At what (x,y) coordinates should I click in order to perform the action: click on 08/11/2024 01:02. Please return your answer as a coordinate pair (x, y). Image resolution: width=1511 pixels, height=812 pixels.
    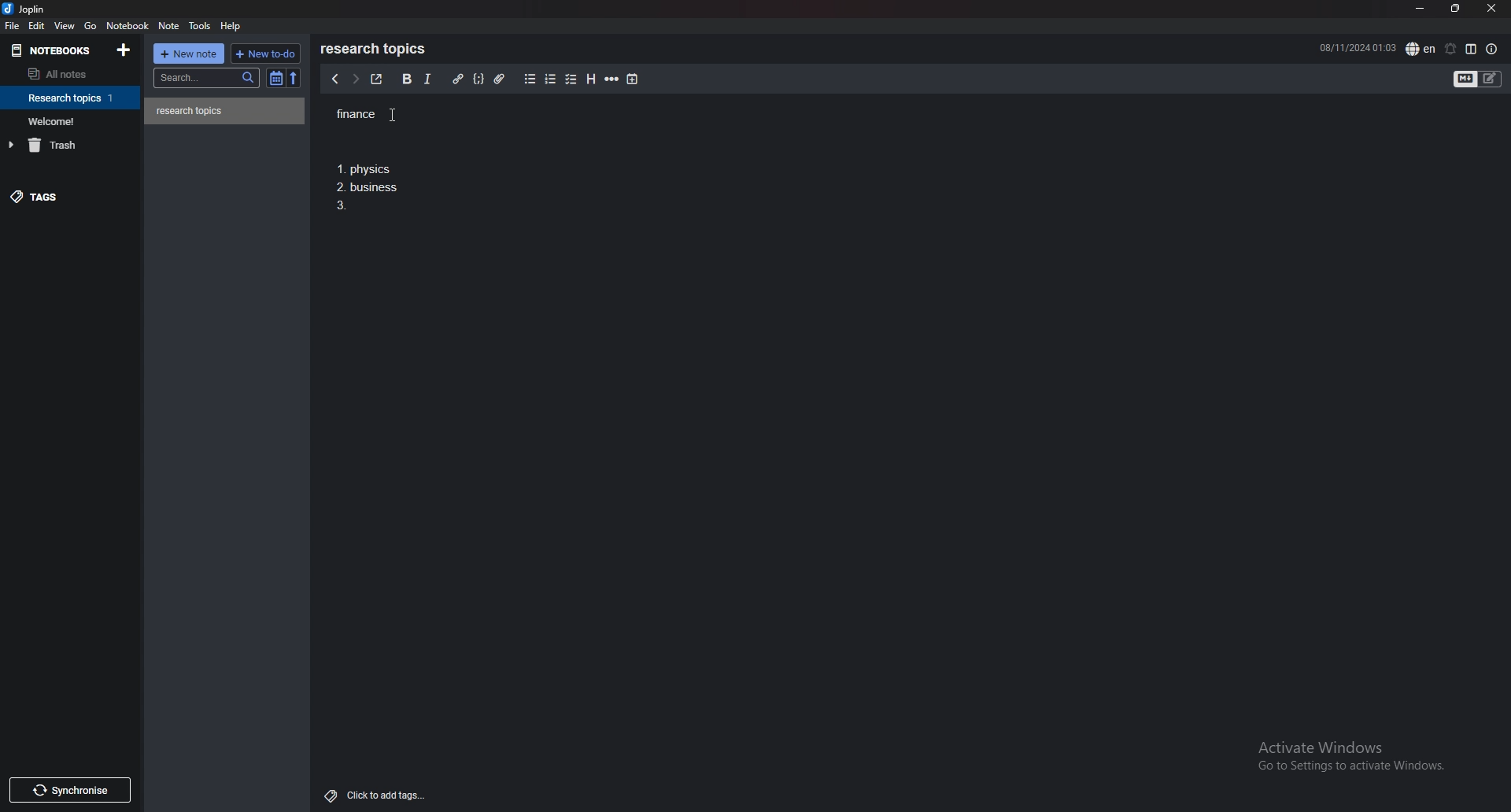
    Looking at the image, I should click on (1357, 47).